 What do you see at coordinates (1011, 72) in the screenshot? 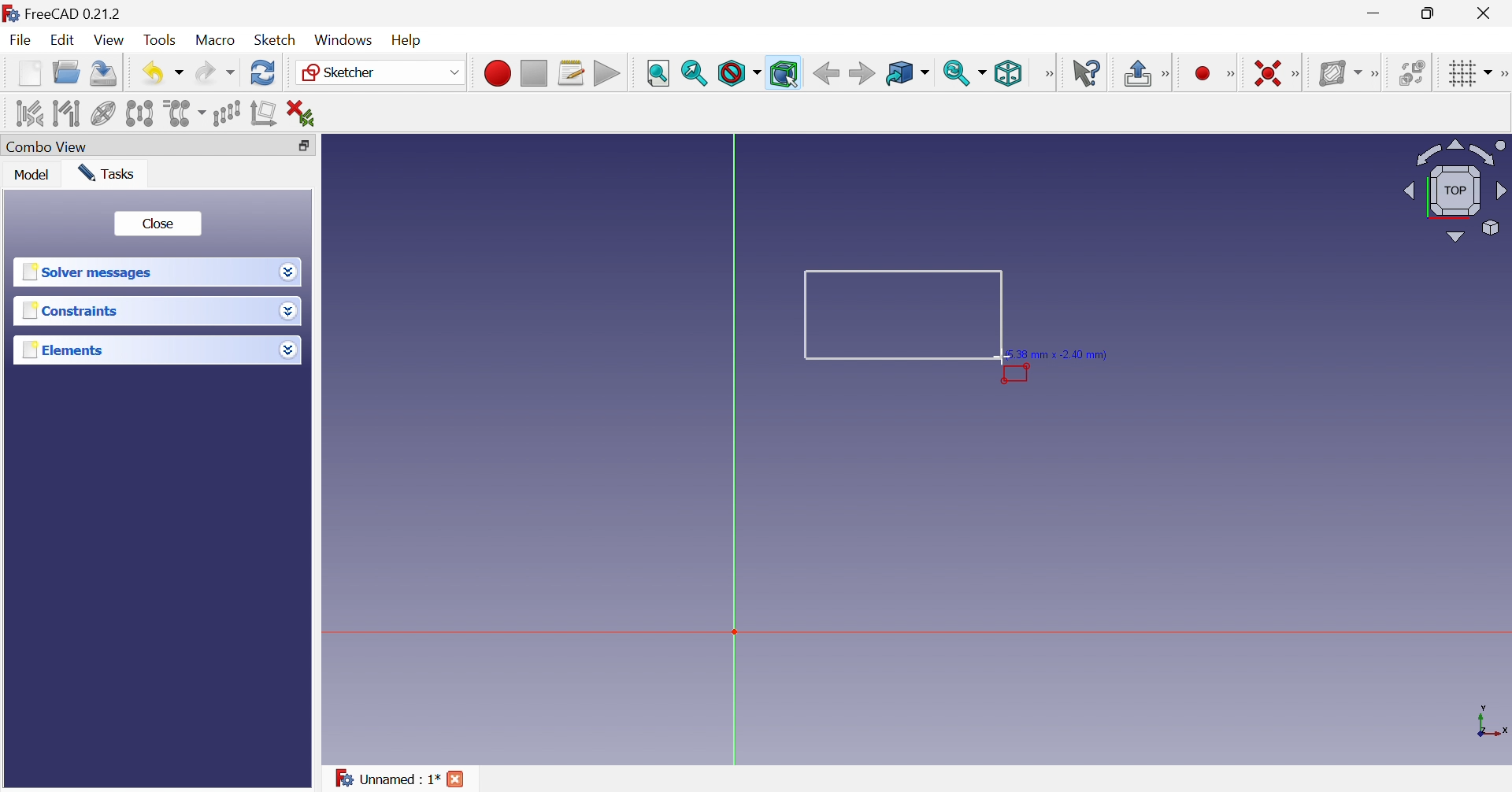
I see `Isometric` at bounding box center [1011, 72].